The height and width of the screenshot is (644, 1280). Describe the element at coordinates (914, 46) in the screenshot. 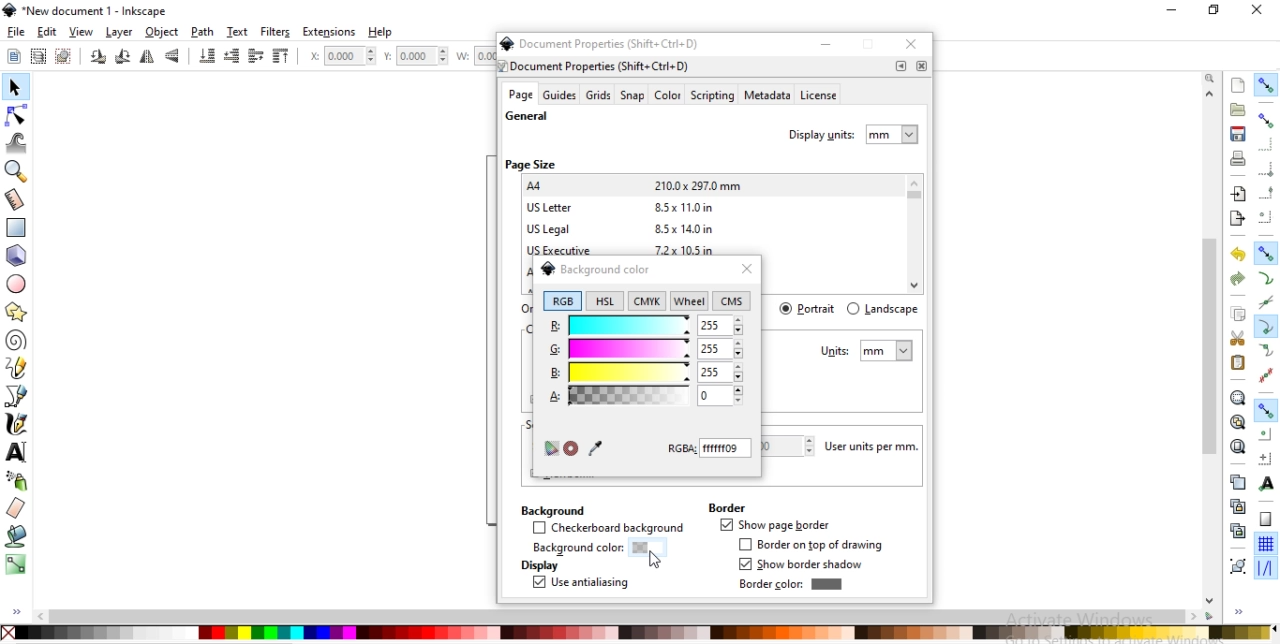

I see `close` at that location.